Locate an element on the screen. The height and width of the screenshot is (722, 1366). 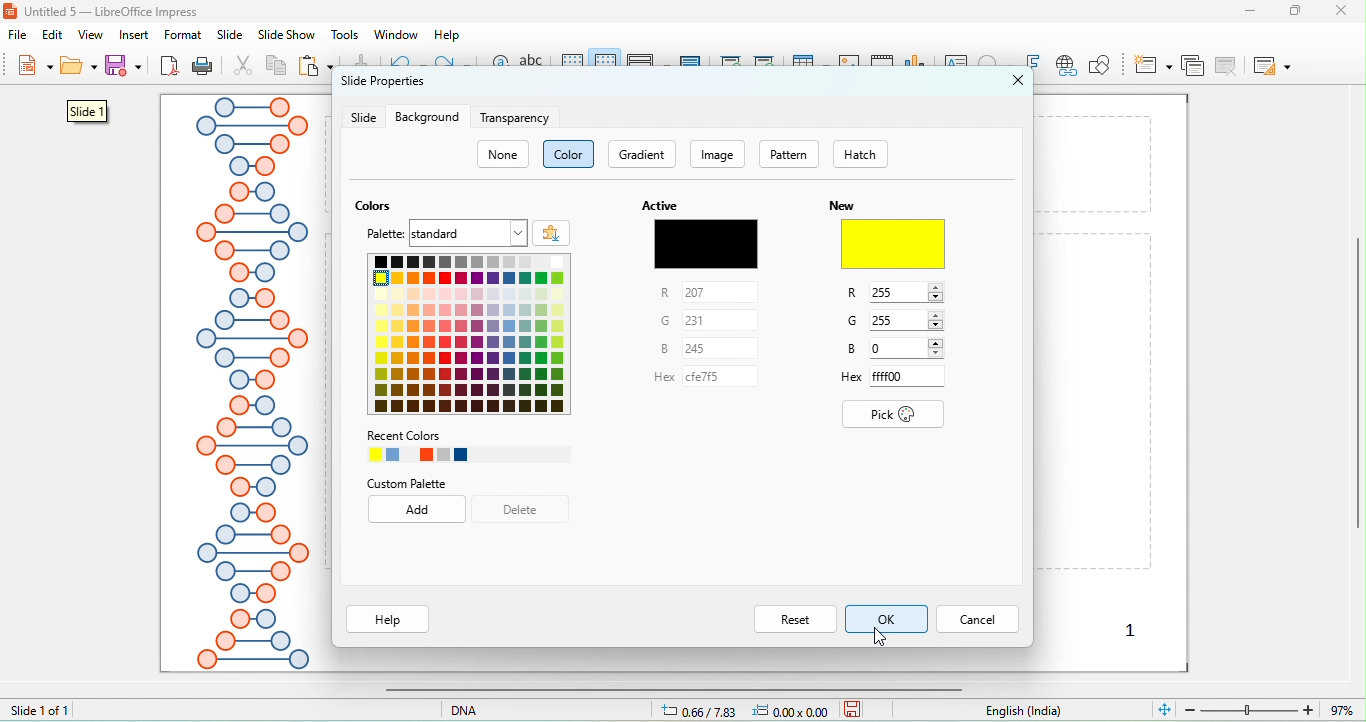
DNA is located at coordinates (492, 709).